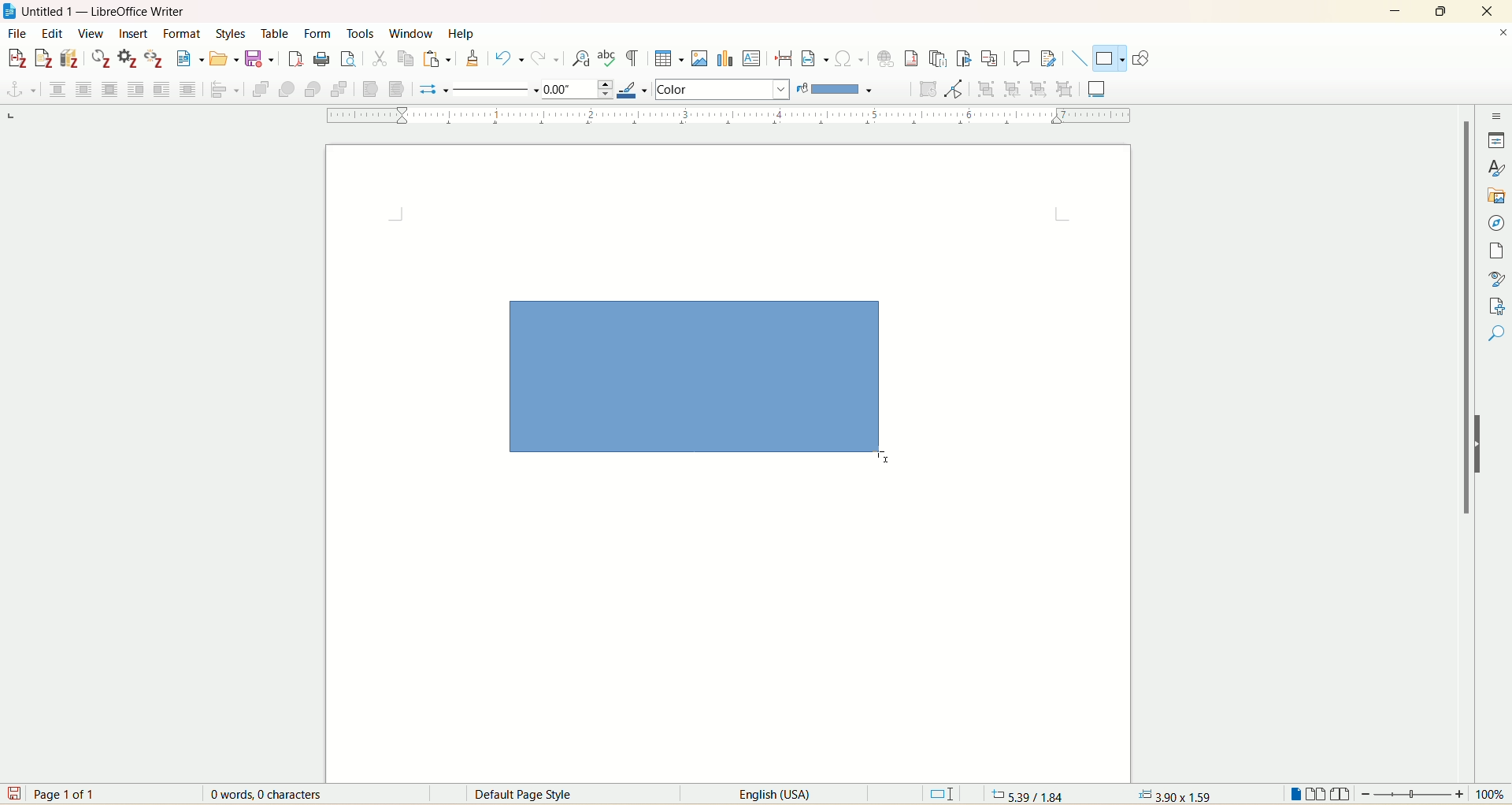  I want to click on close, so click(1485, 12).